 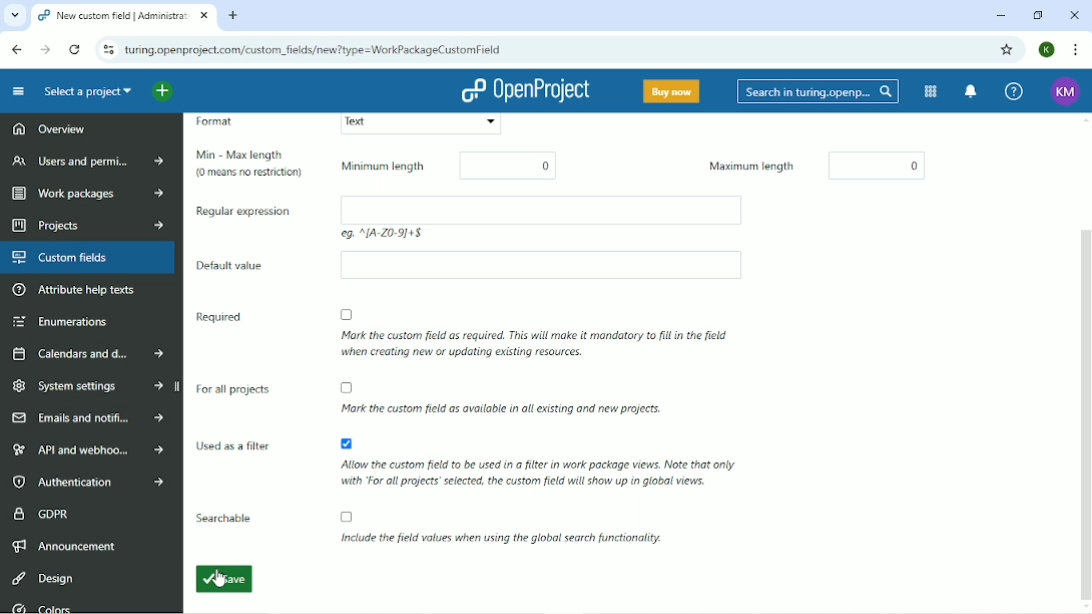 What do you see at coordinates (45, 49) in the screenshot?
I see `Forward` at bounding box center [45, 49].